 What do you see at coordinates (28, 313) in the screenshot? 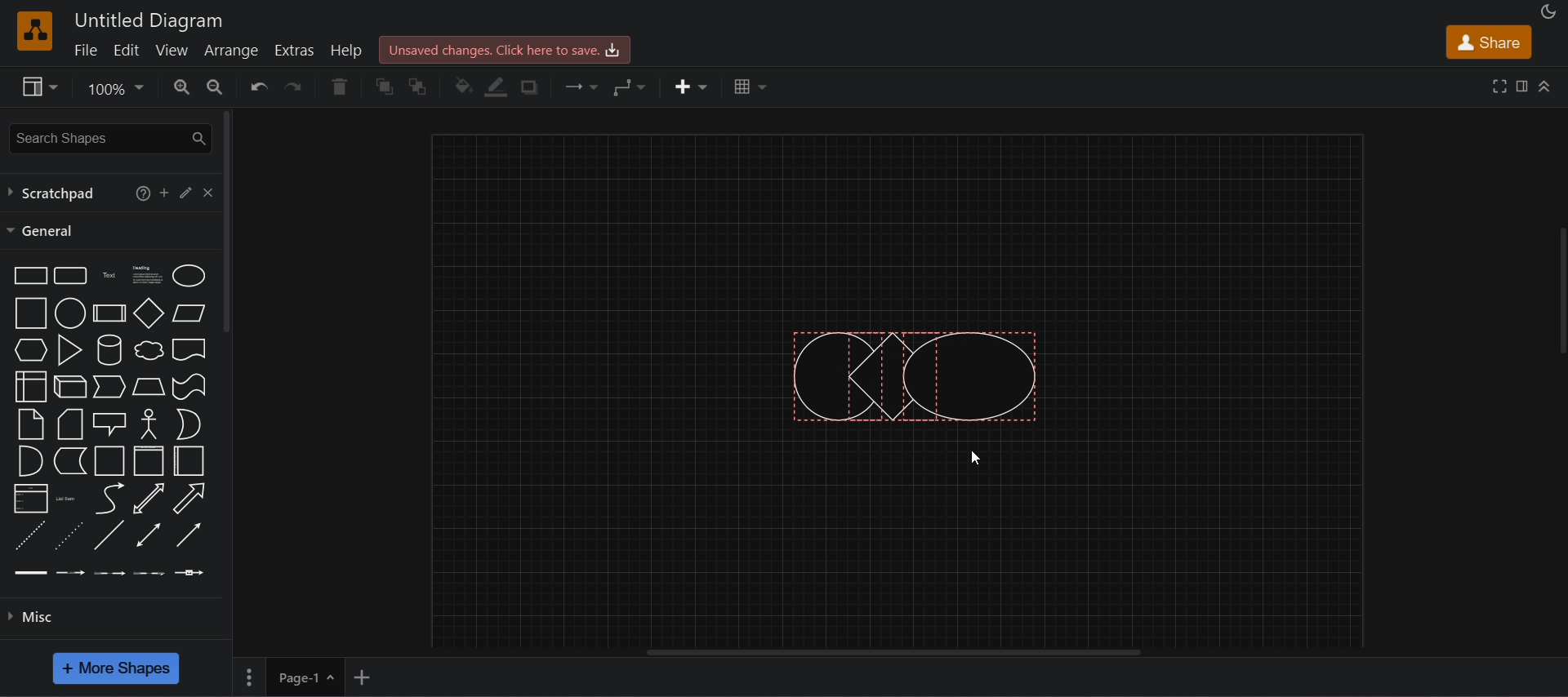
I see `square` at bounding box center [28, 313].